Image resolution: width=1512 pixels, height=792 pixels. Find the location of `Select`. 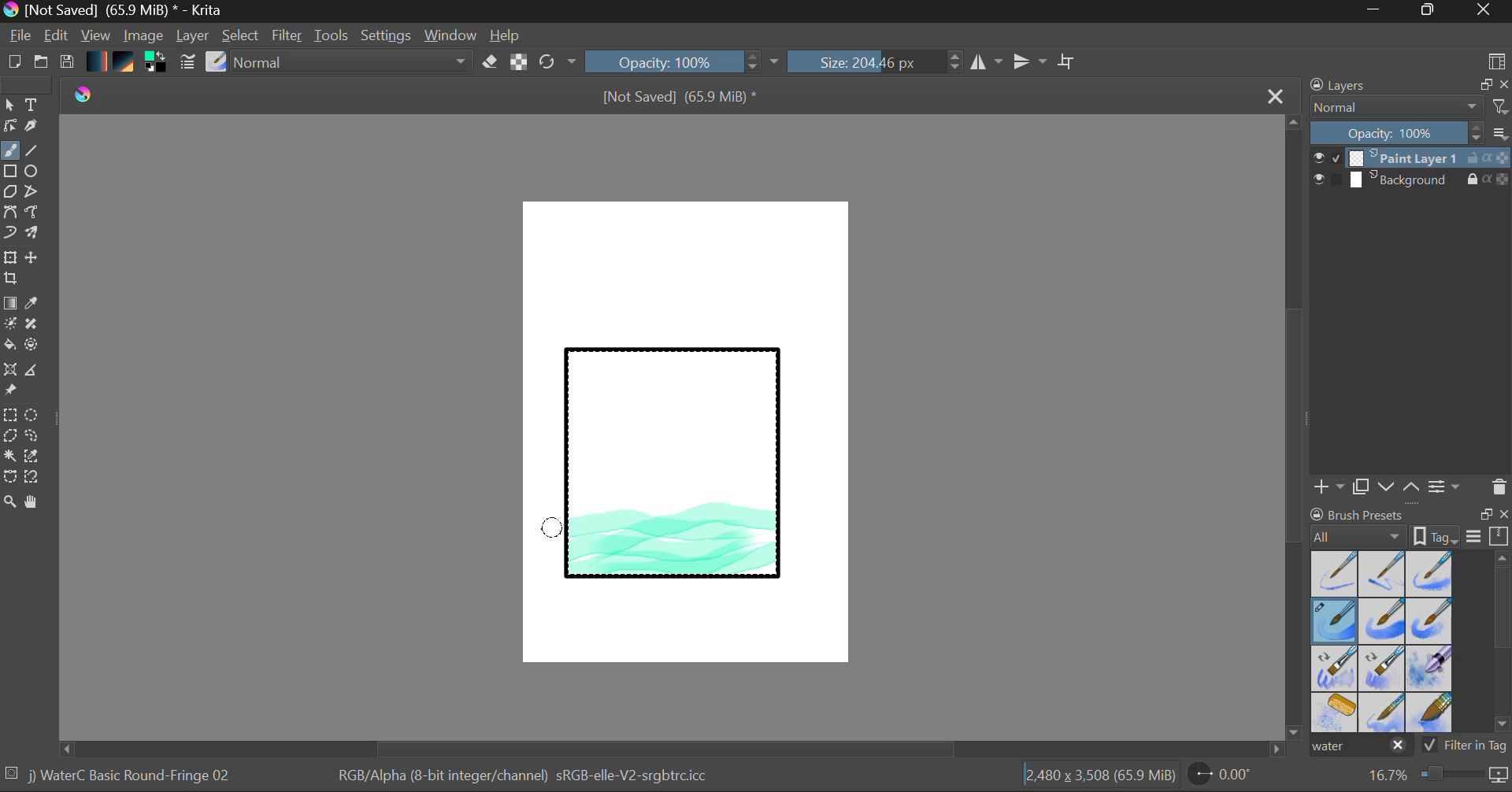

Select is located at coordinates (242, 36).